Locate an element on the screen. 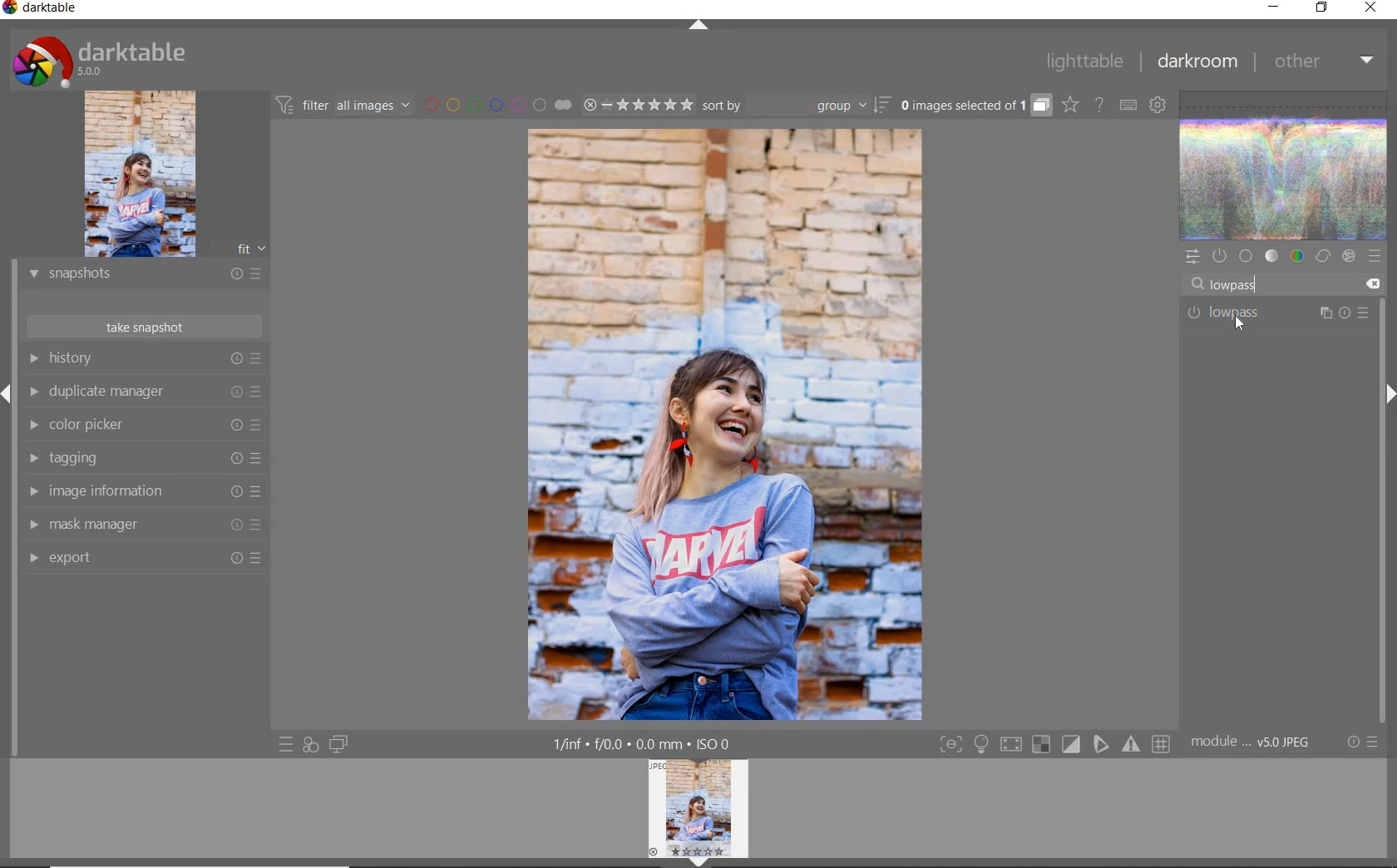  base is located at coordinates (1246, 256).